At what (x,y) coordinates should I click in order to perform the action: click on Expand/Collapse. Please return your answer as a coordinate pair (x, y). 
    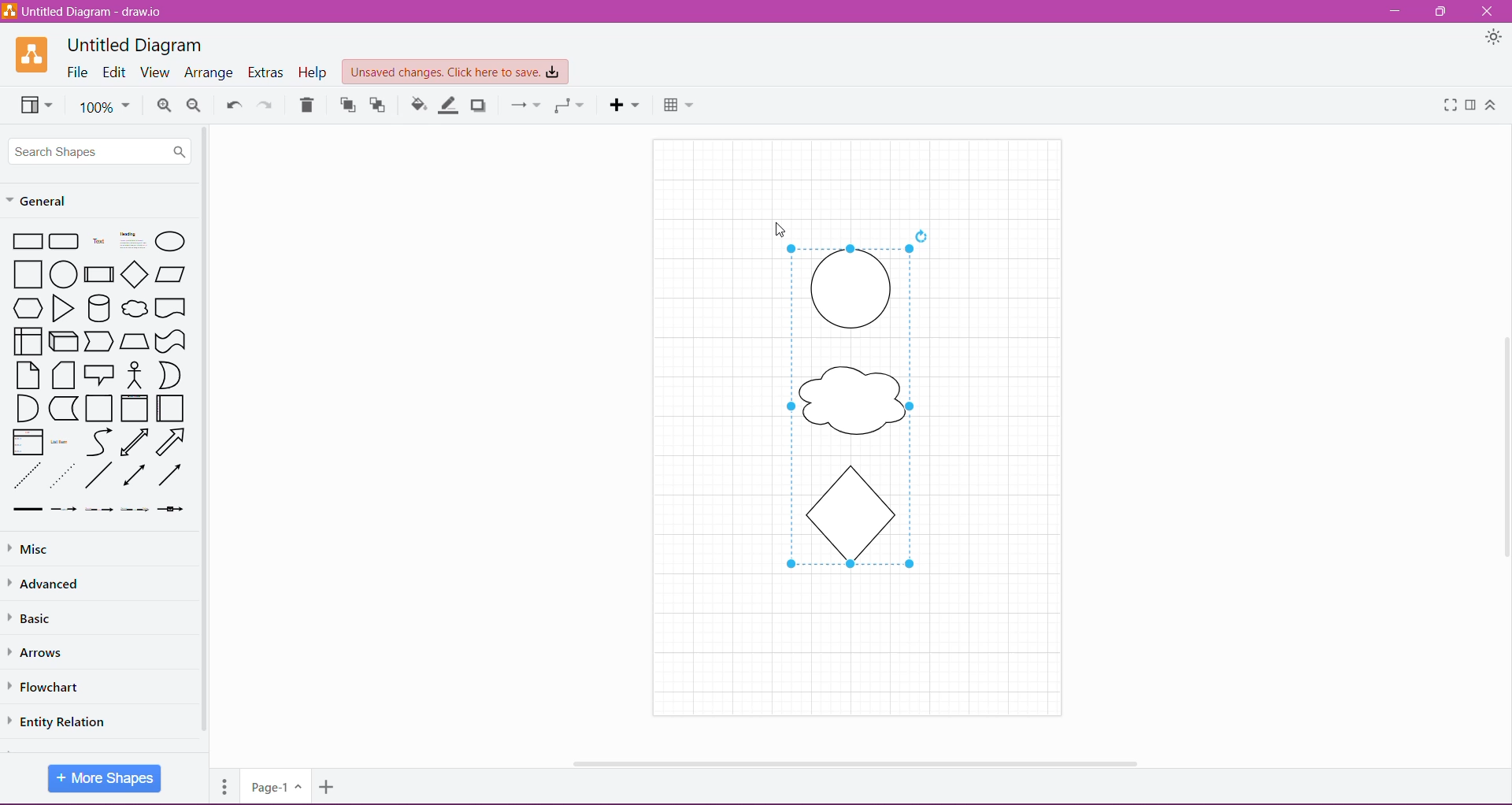
    Looking at the image, I should click on (1491, 106).